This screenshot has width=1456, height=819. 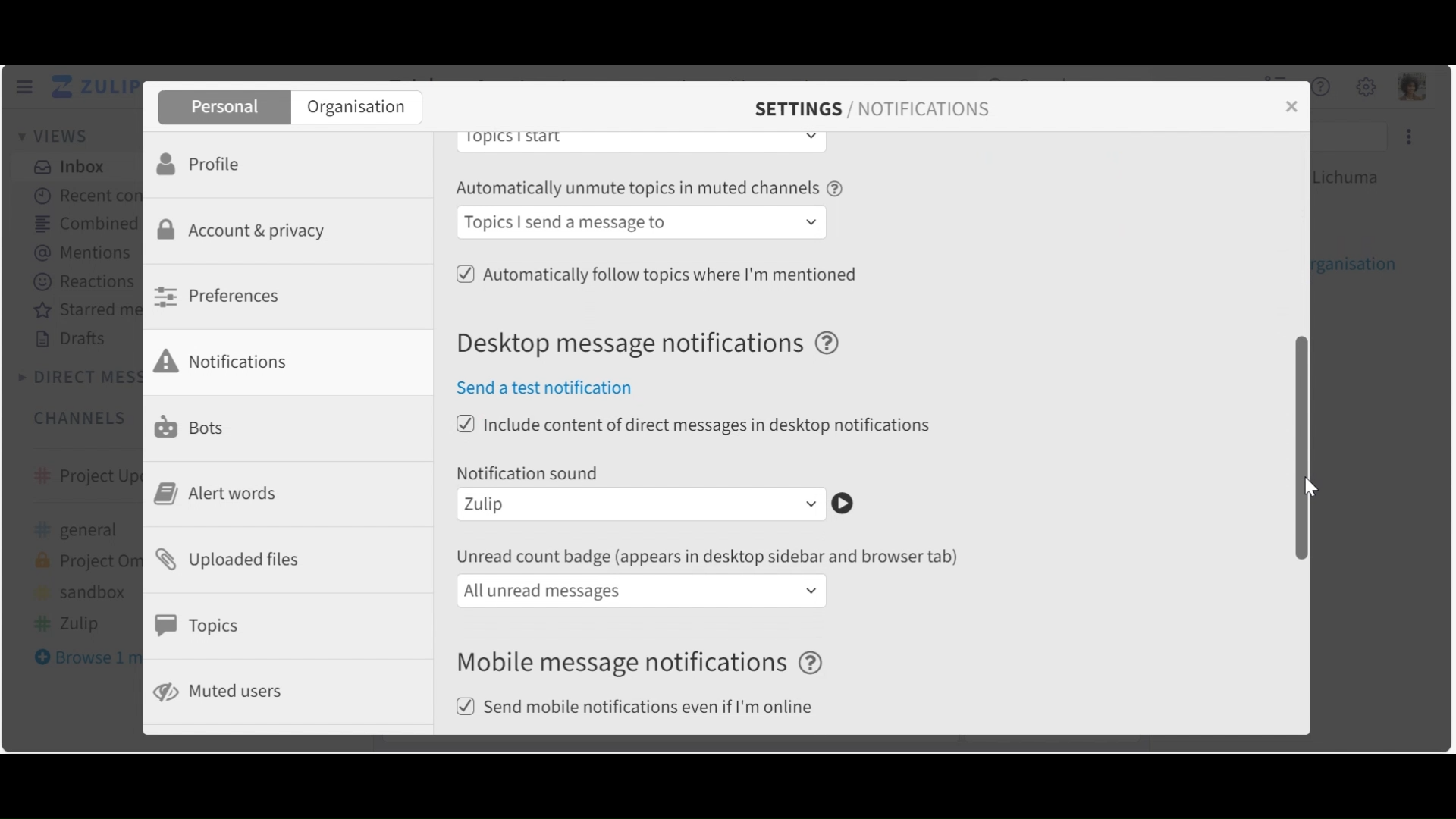 I want to click on Preferences, so click(x=221, y=296).